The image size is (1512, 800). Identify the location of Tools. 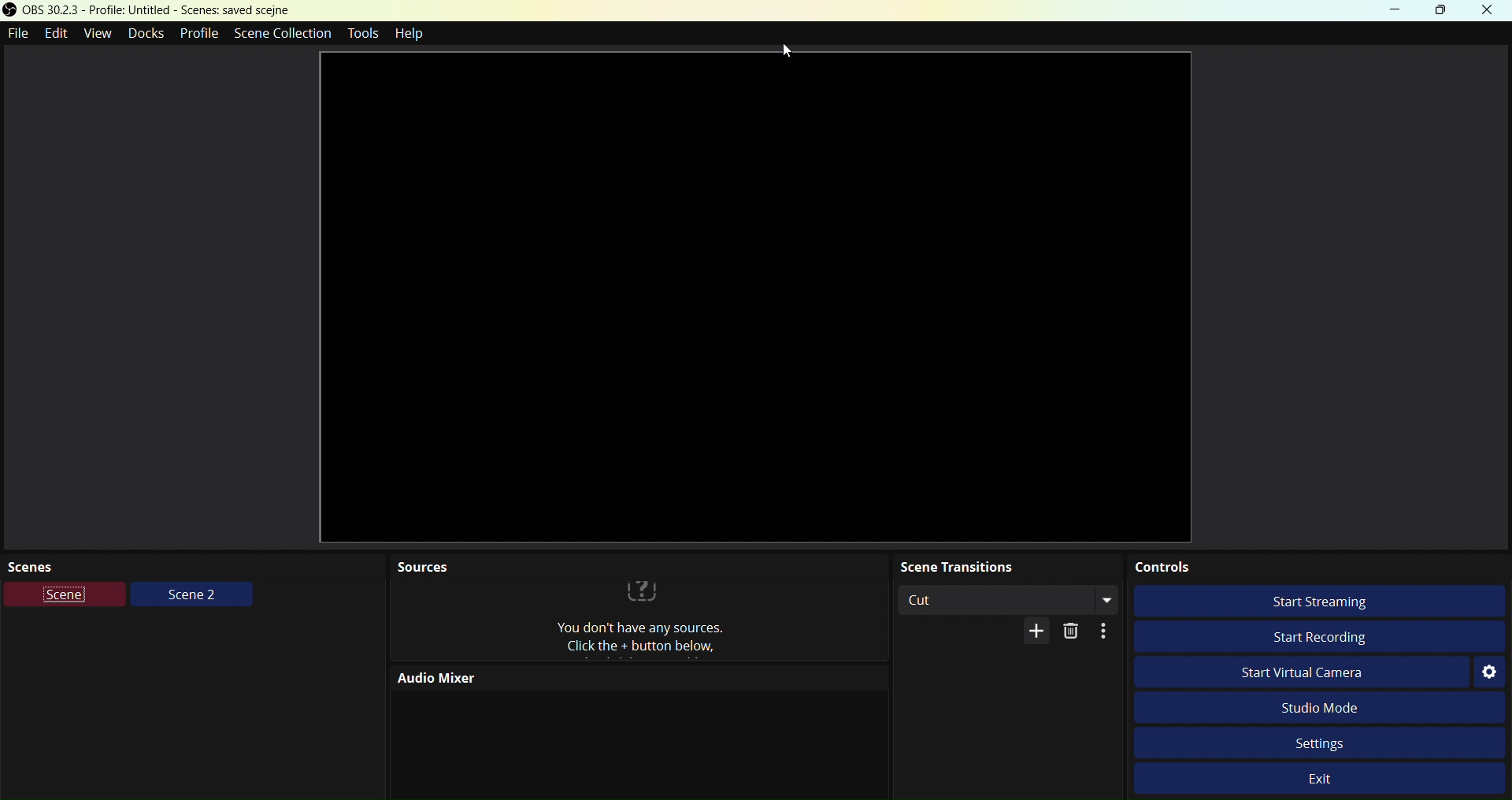
(362, 33).